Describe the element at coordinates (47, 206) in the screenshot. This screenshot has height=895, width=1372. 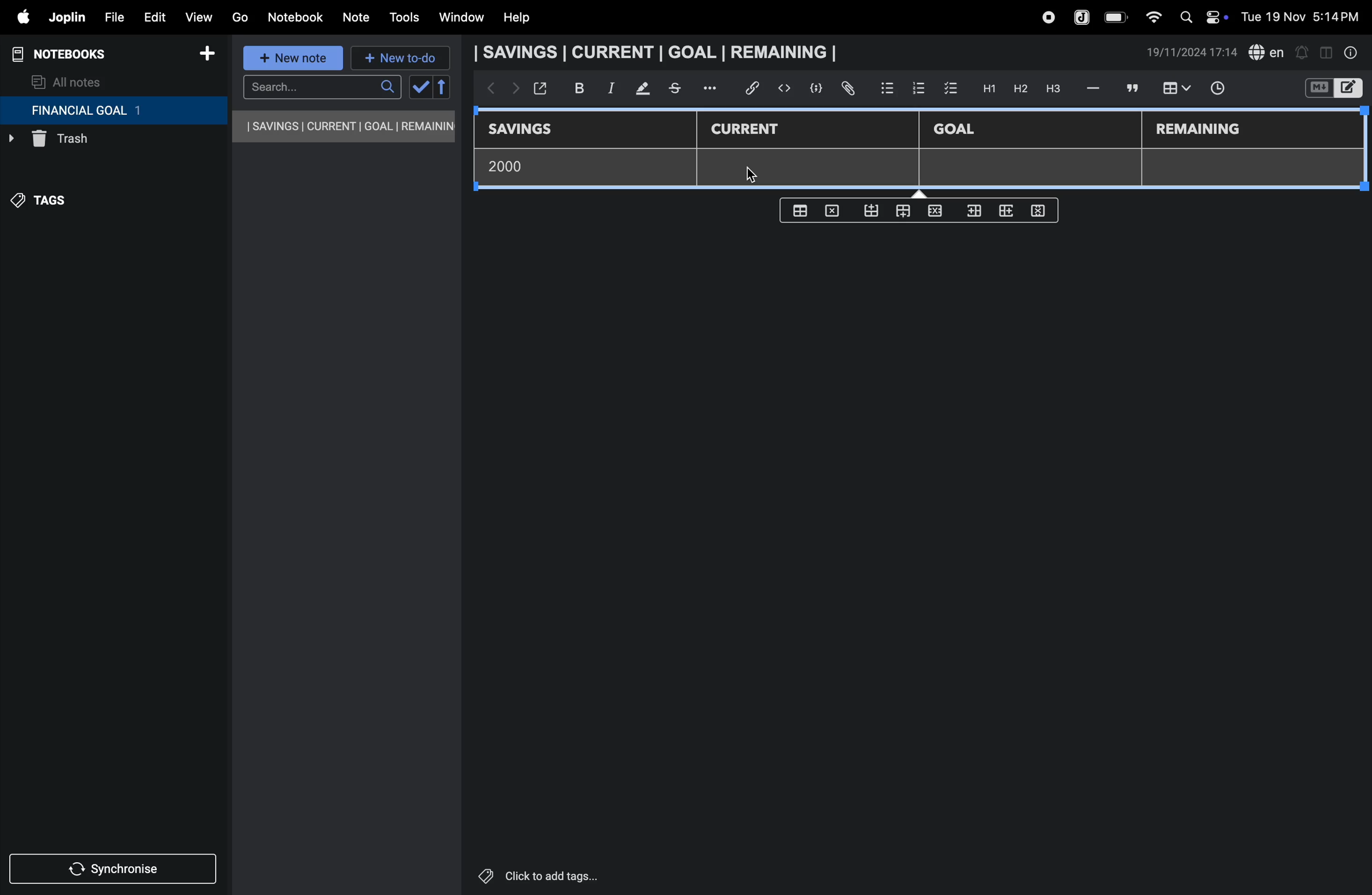
I see `tags` at that location.